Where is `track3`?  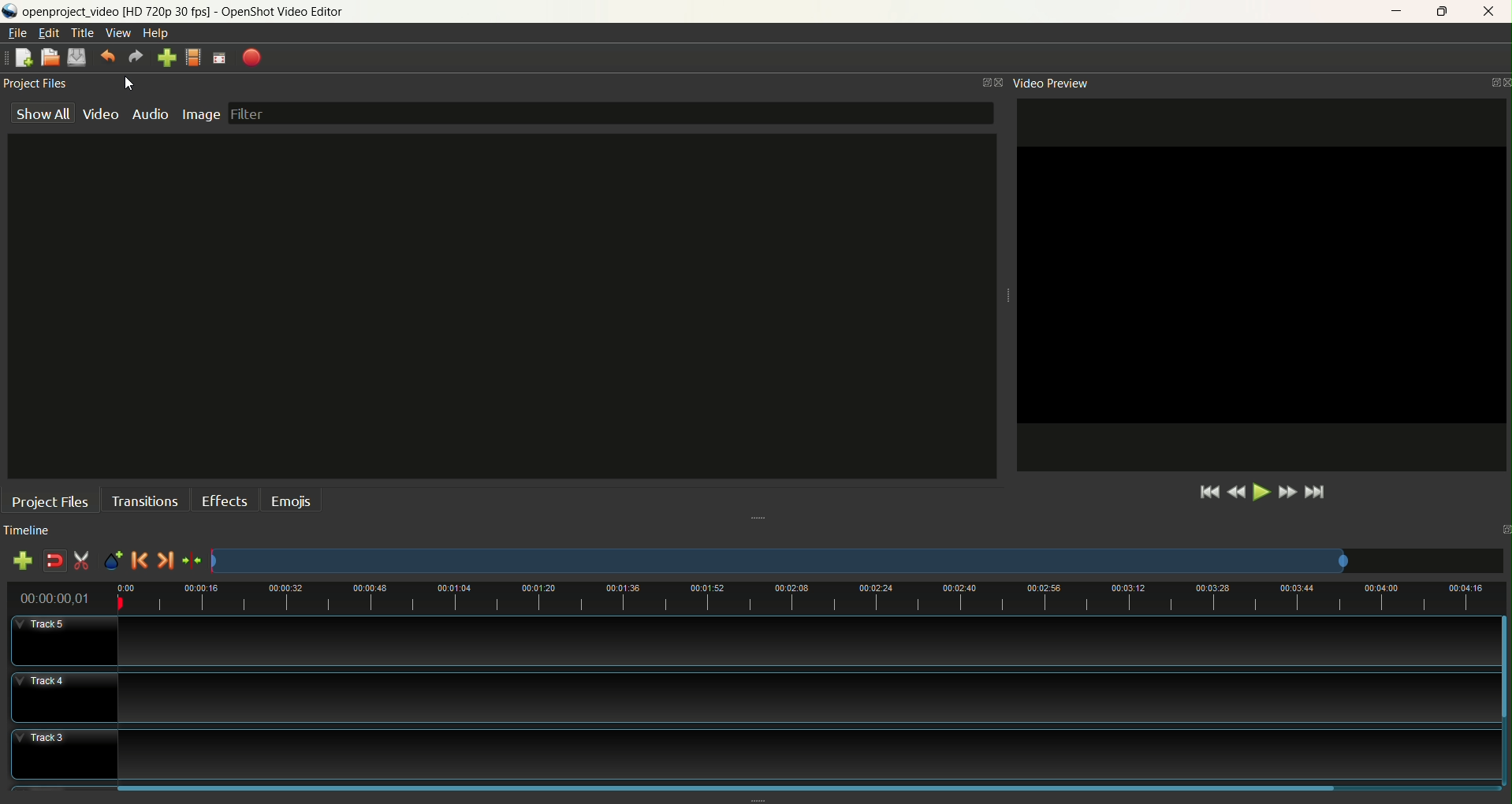
track3 is located at coordinates (758, 739).